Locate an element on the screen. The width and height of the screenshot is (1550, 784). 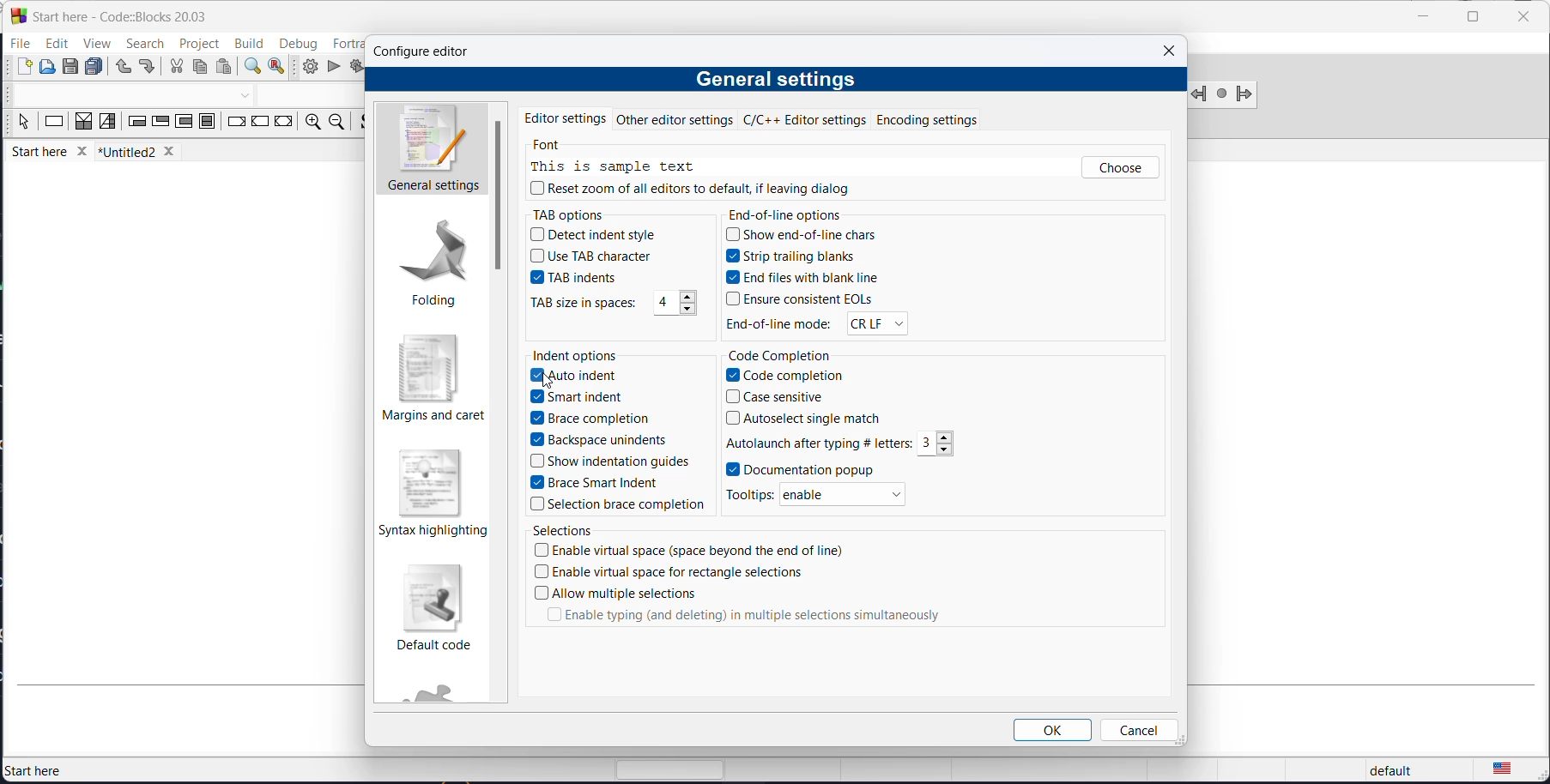
file is located at coordinates (21, 43).